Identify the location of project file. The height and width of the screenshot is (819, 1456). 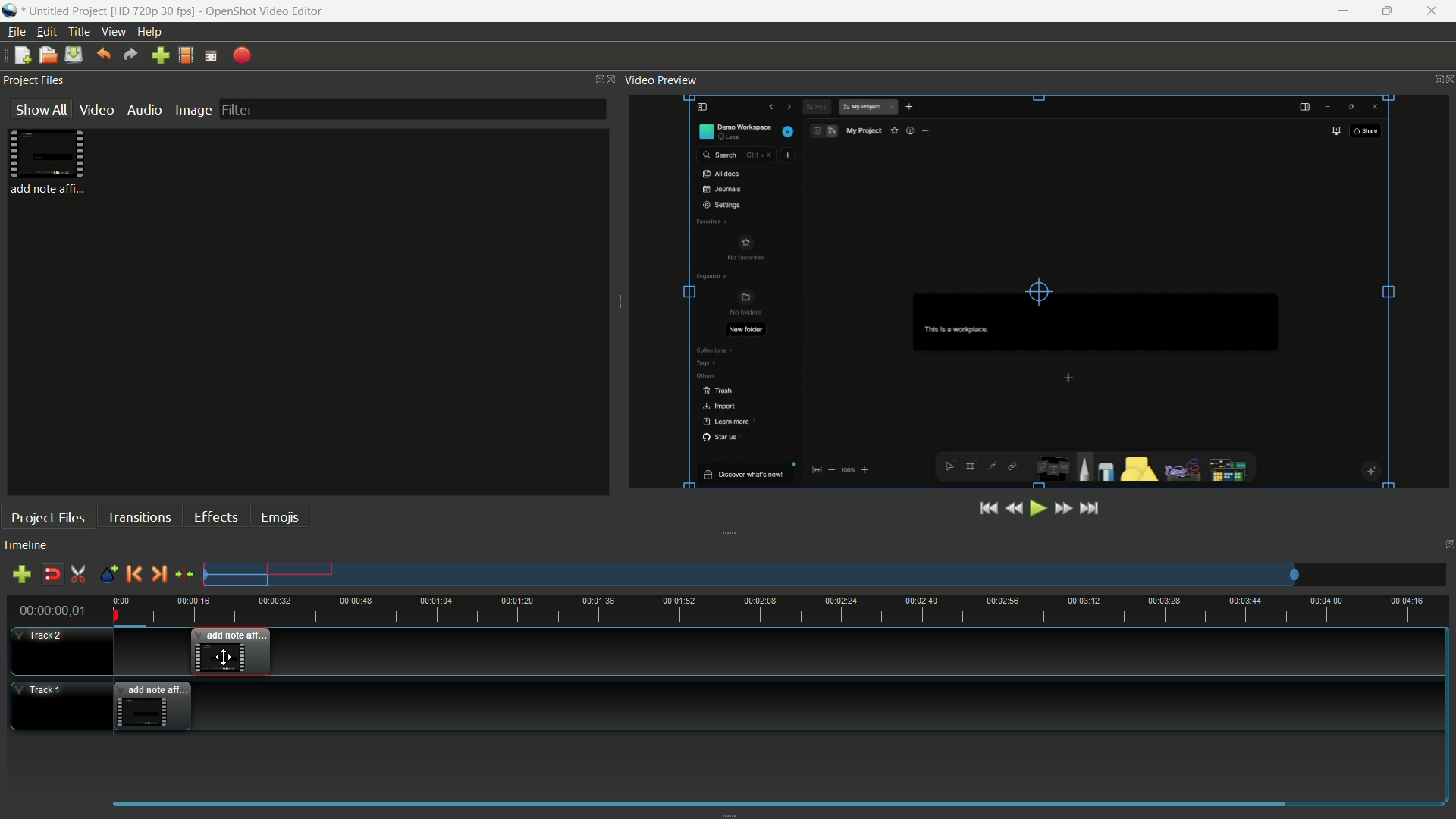
(48, 163).